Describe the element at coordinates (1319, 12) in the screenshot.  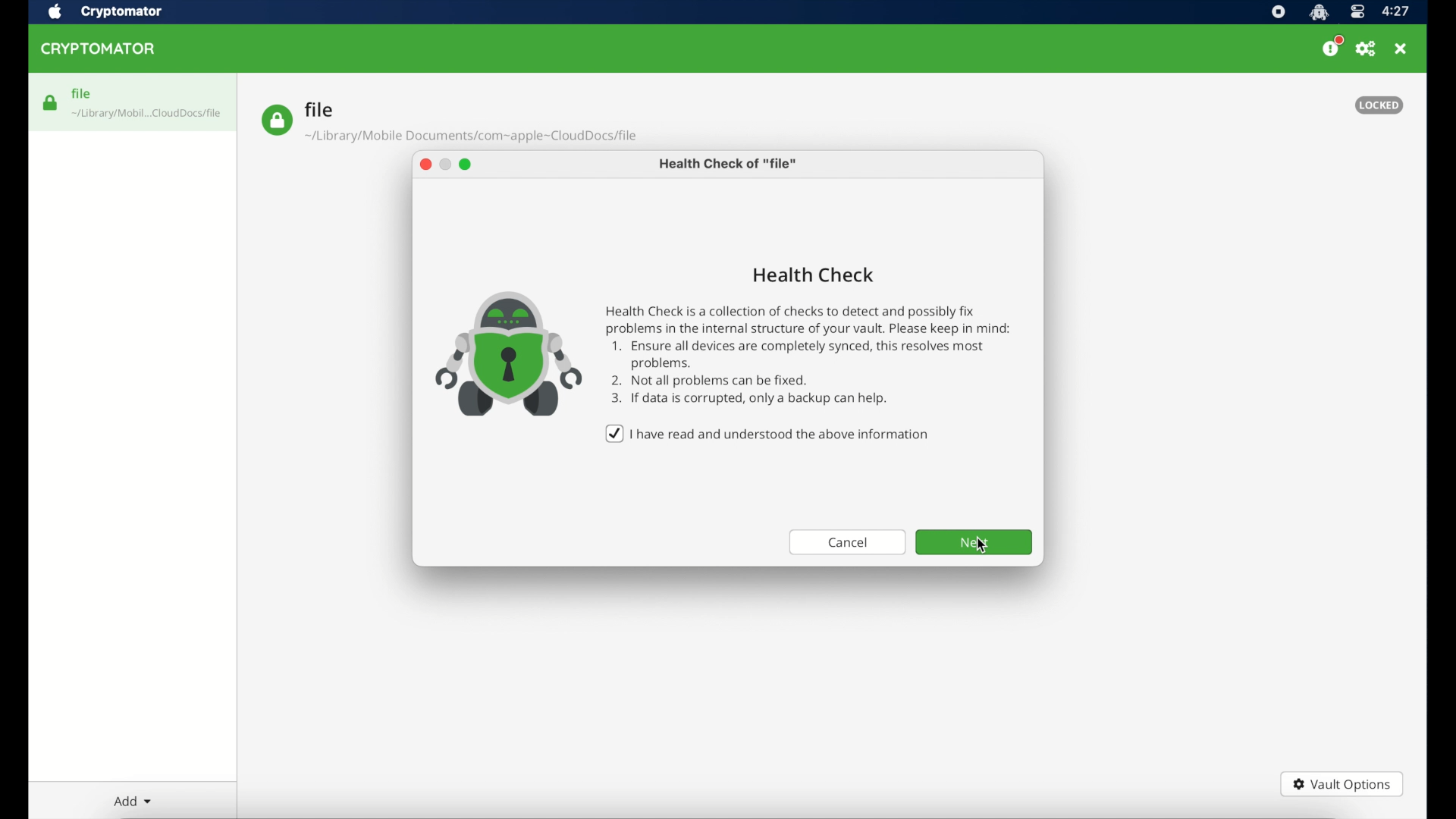
I see `cryptomator icon` at that location.